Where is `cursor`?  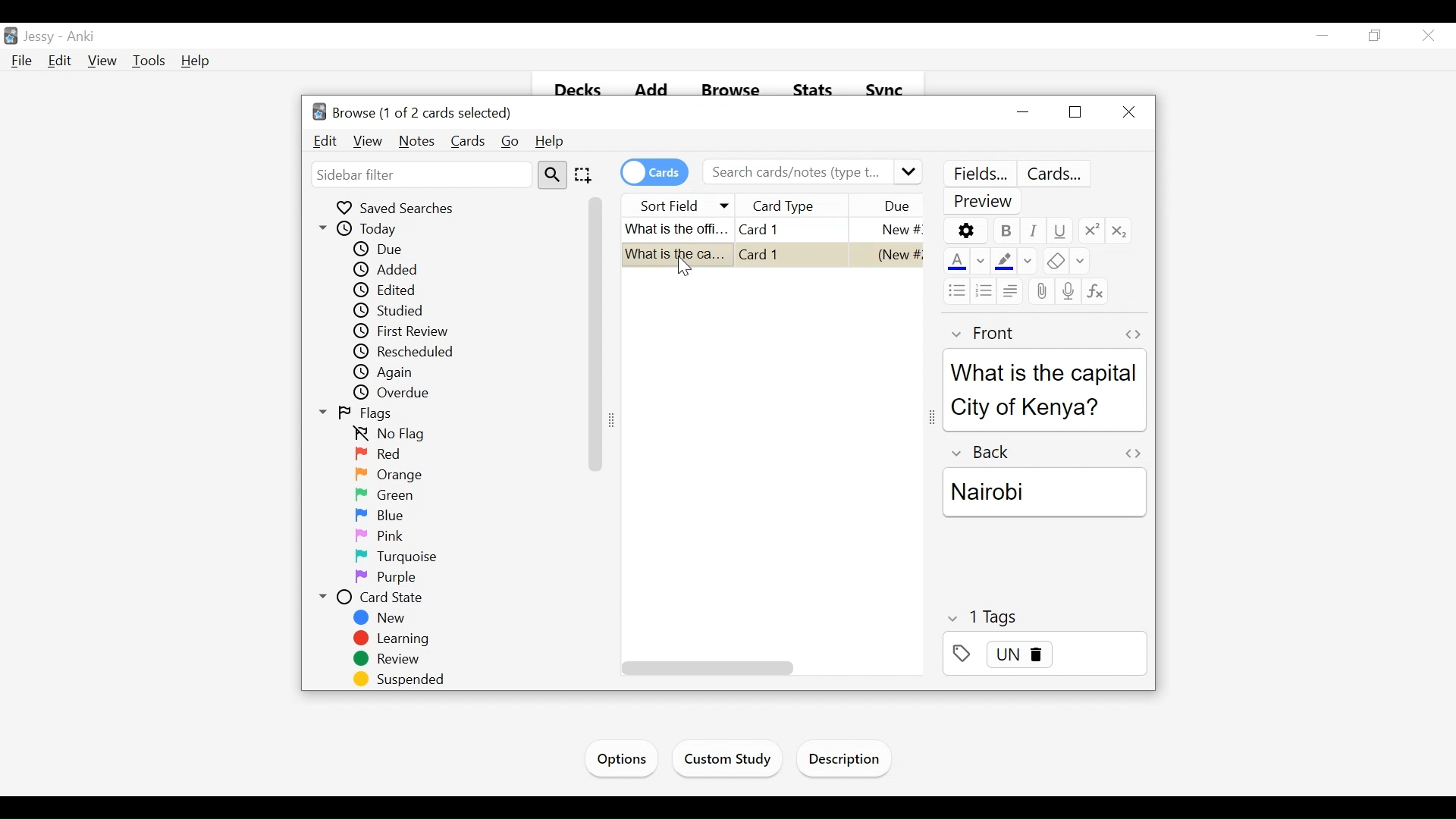
cursor is located at coordinates (689, 272).